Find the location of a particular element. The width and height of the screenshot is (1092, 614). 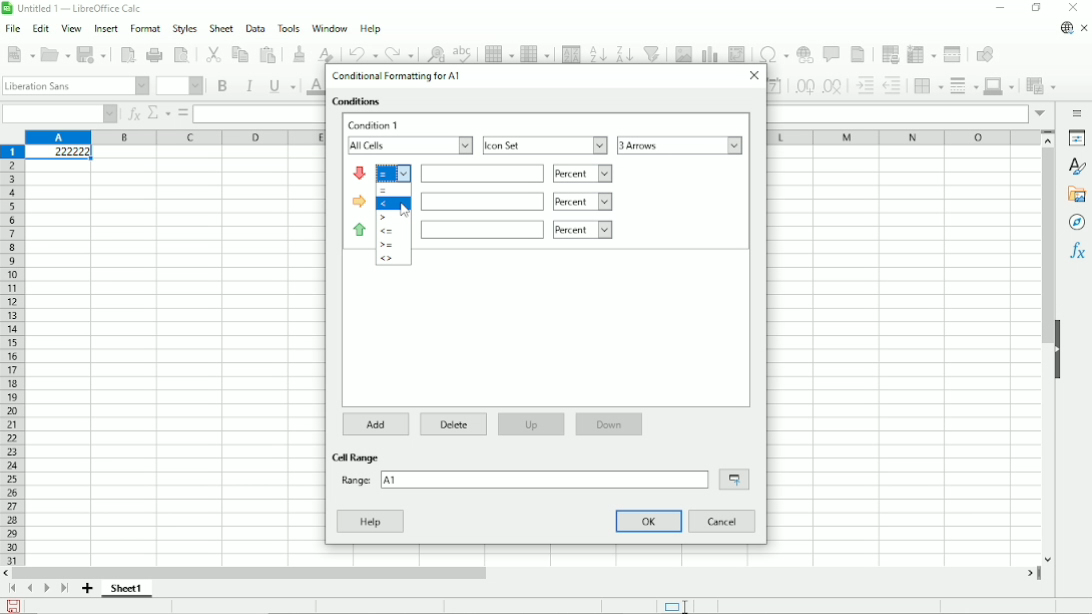

icon condition is located at coordinates (360, 173).